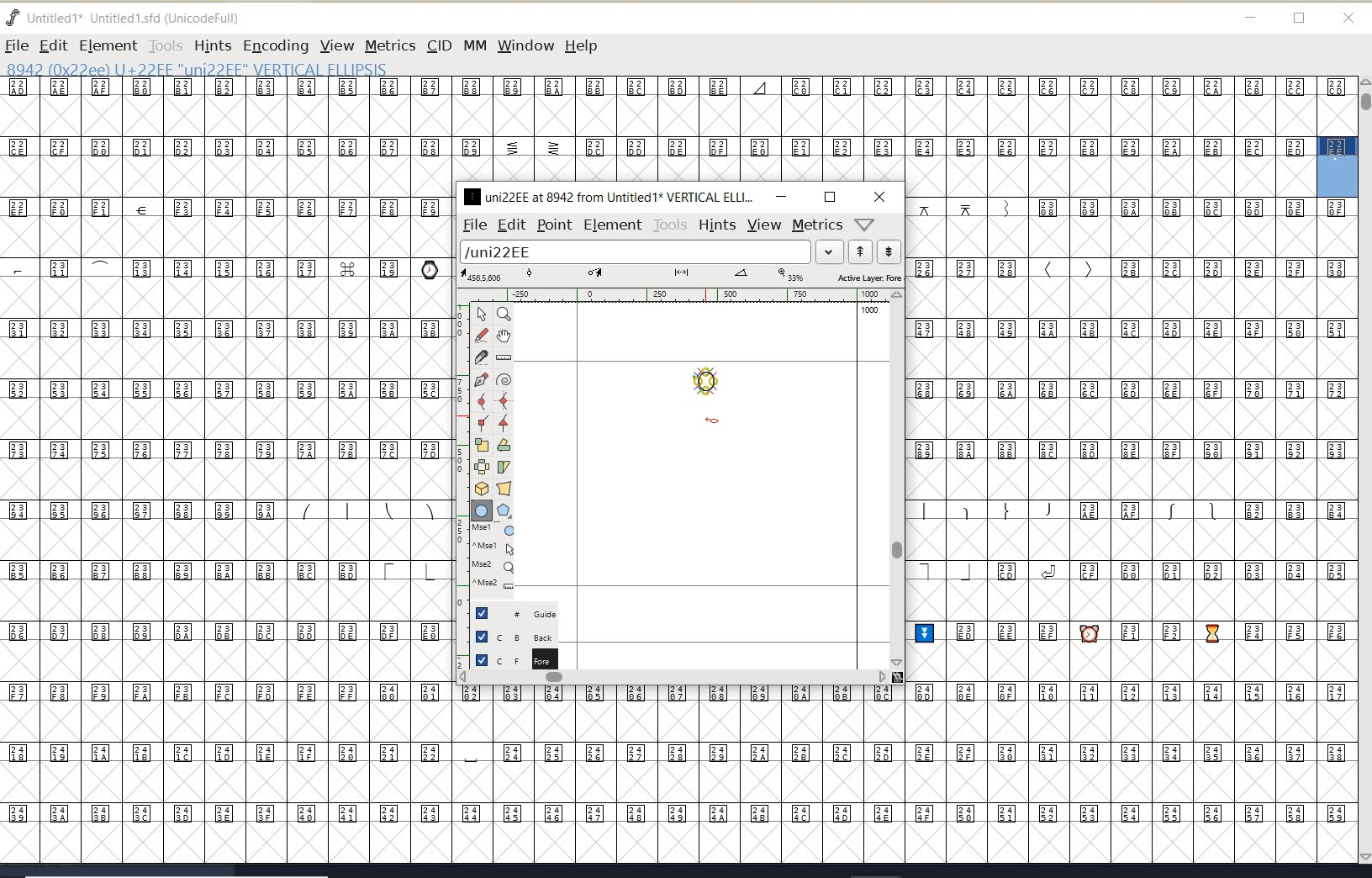 The image size is (1372, 878). Describe the element at coordinates (483, 335) in the screenshot. I see `draw a freehand curve` at that location.